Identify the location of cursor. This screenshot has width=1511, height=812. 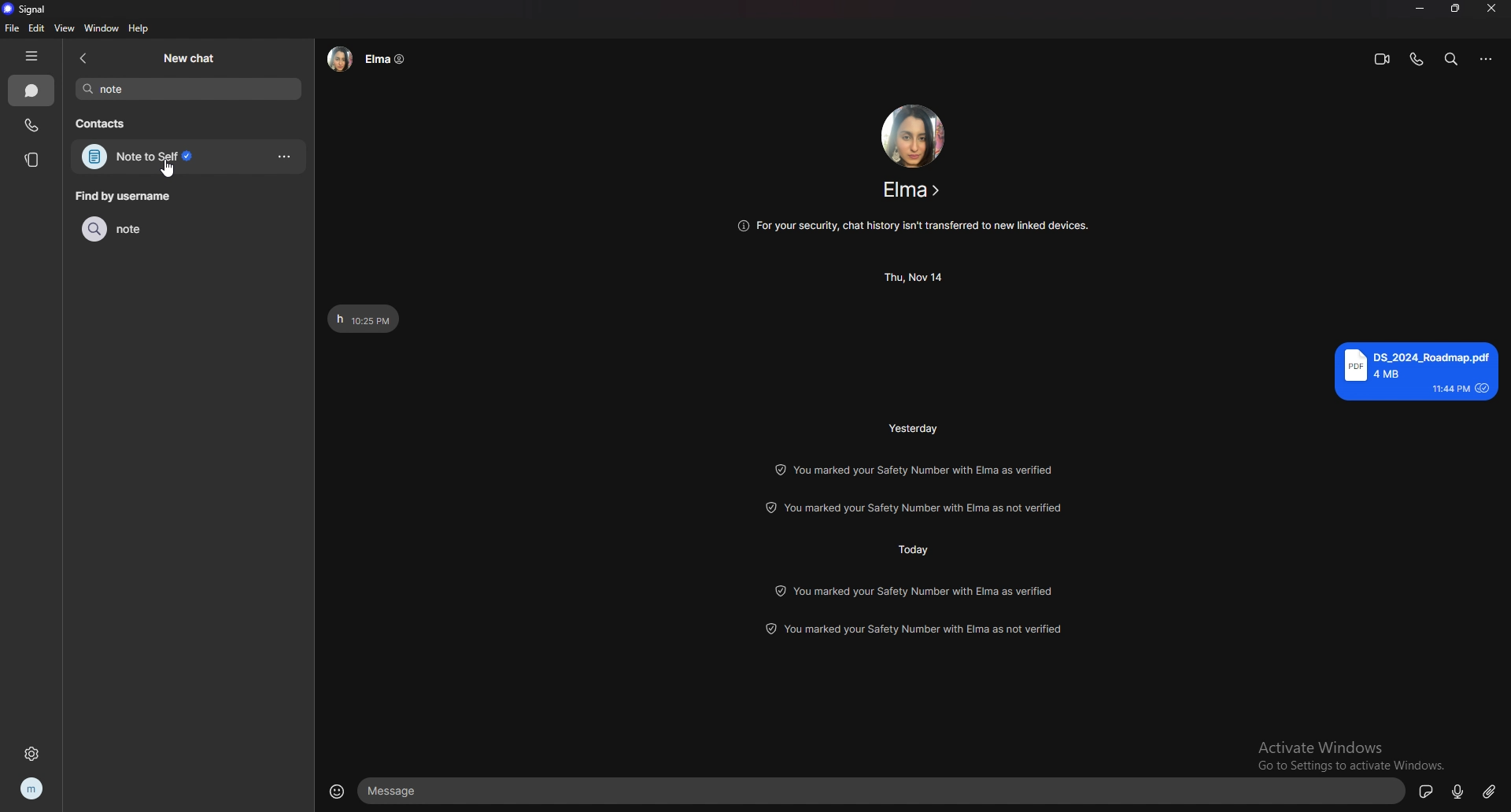
(168, 169).